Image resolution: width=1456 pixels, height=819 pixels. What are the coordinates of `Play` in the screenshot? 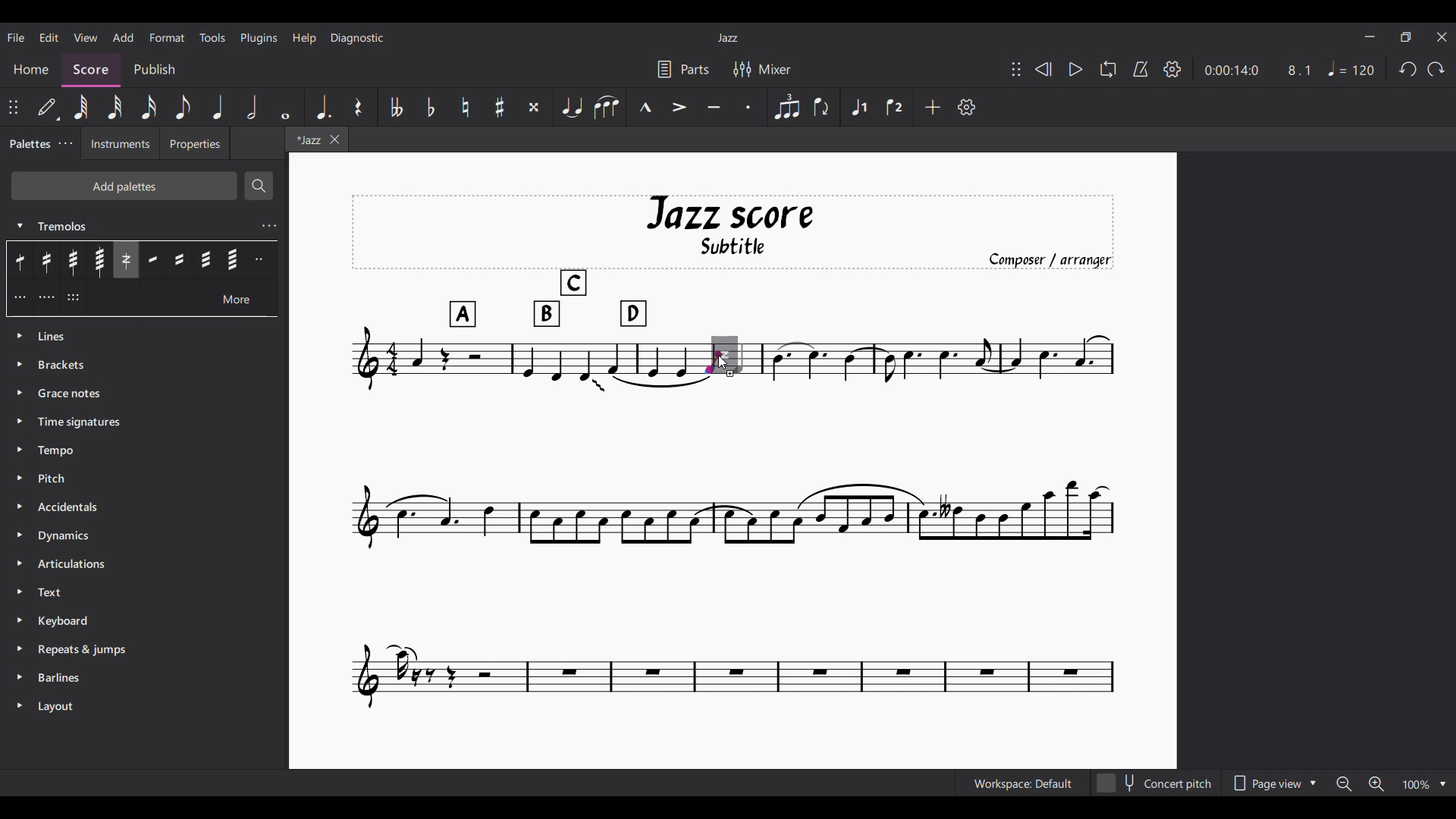 It's located at (1076, 69).